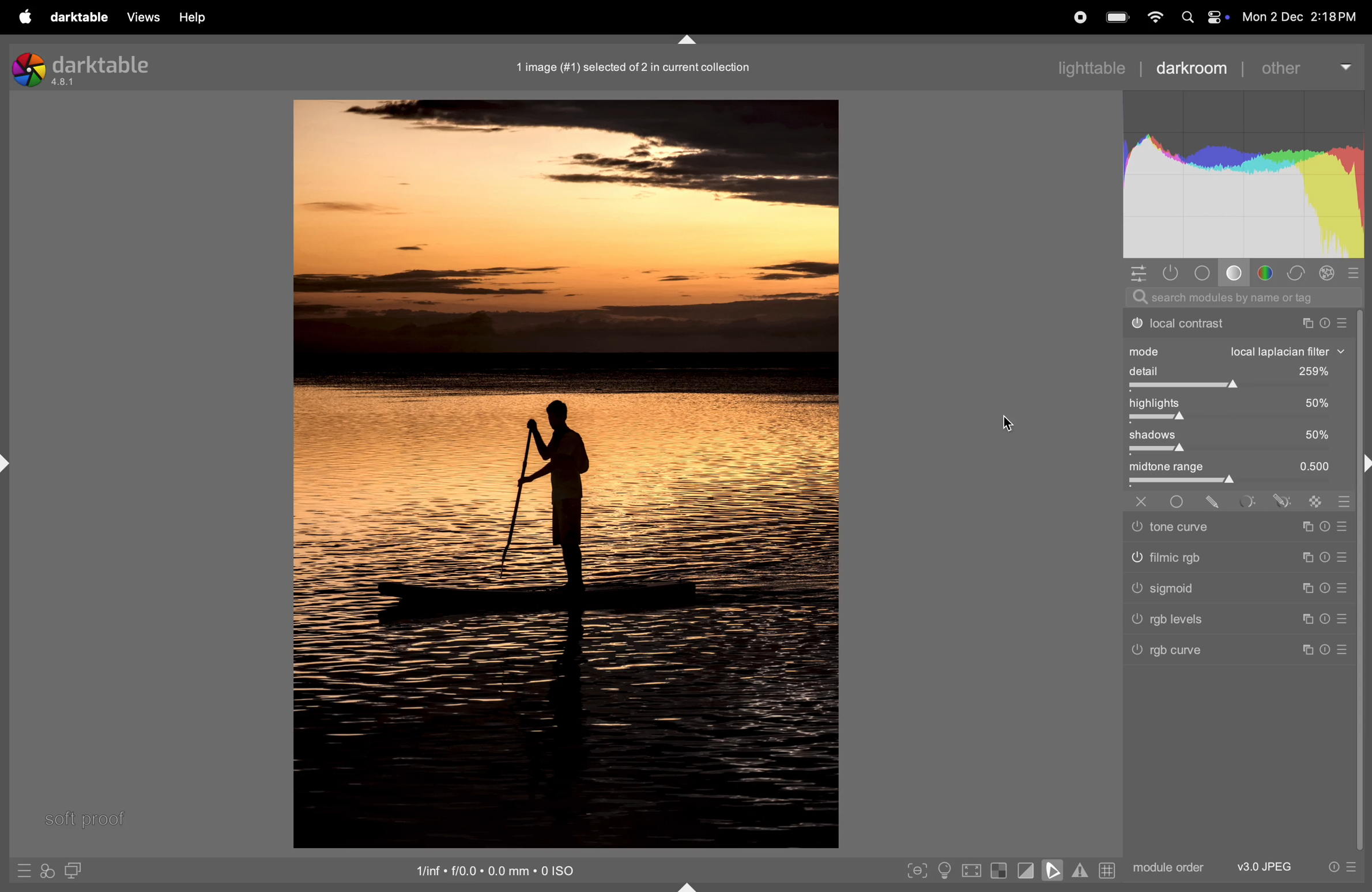  Describe the element at coordinates (198, 17) in the screenshot. I see `help` at that location.